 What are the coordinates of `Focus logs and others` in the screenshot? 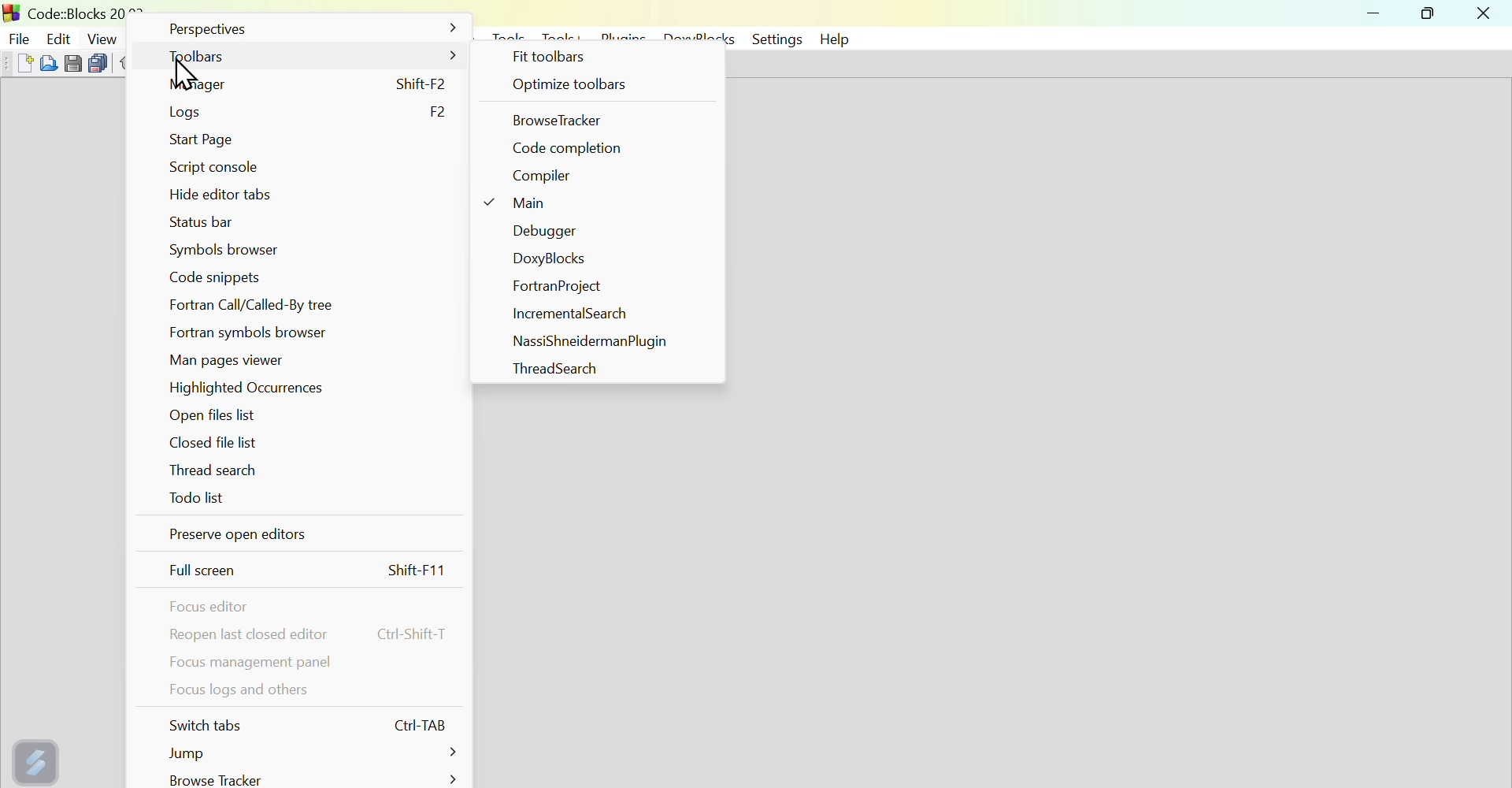 It's located at (235, 694).